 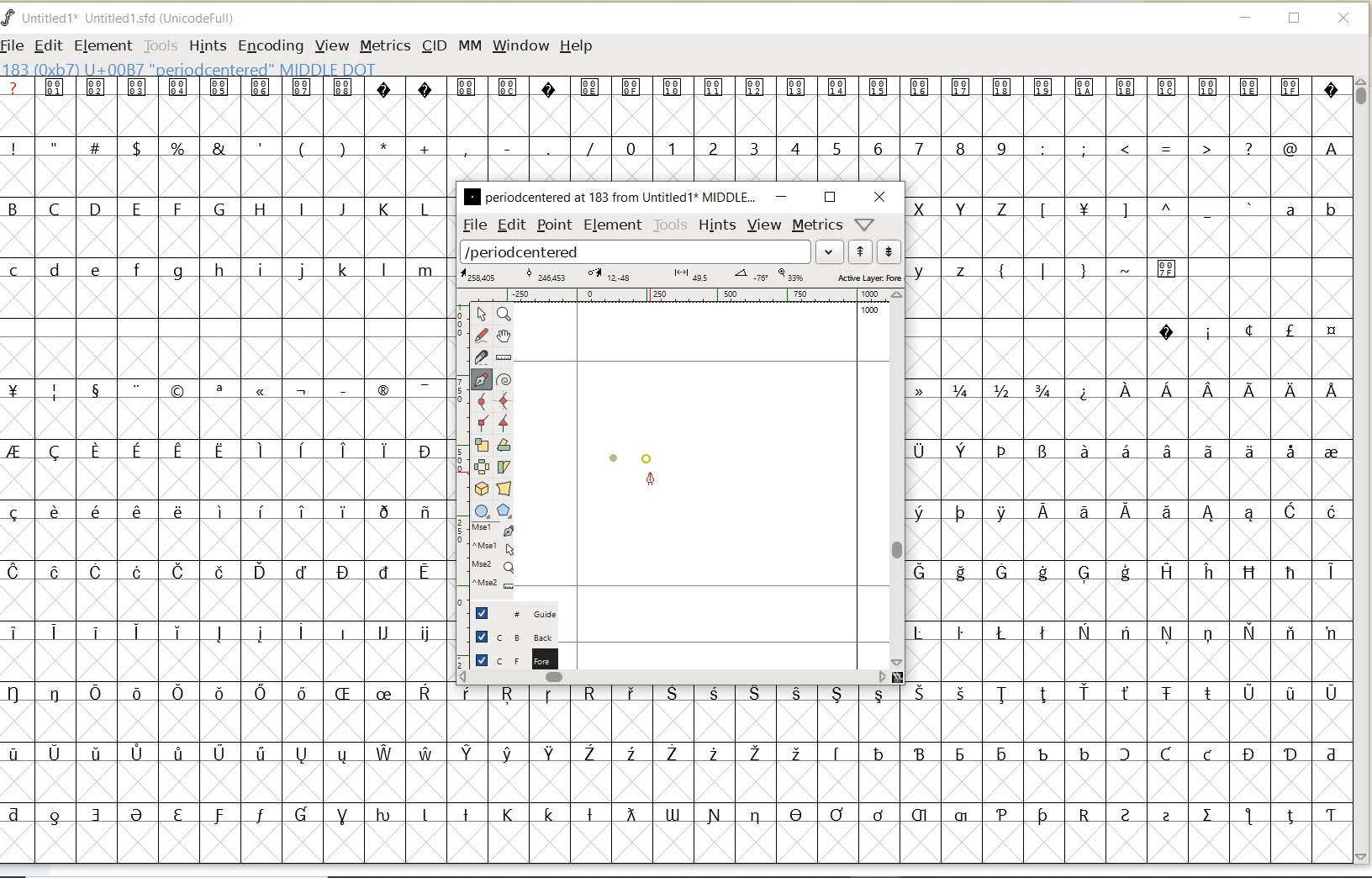 I want to click on edit, so click(x=510, y=225).